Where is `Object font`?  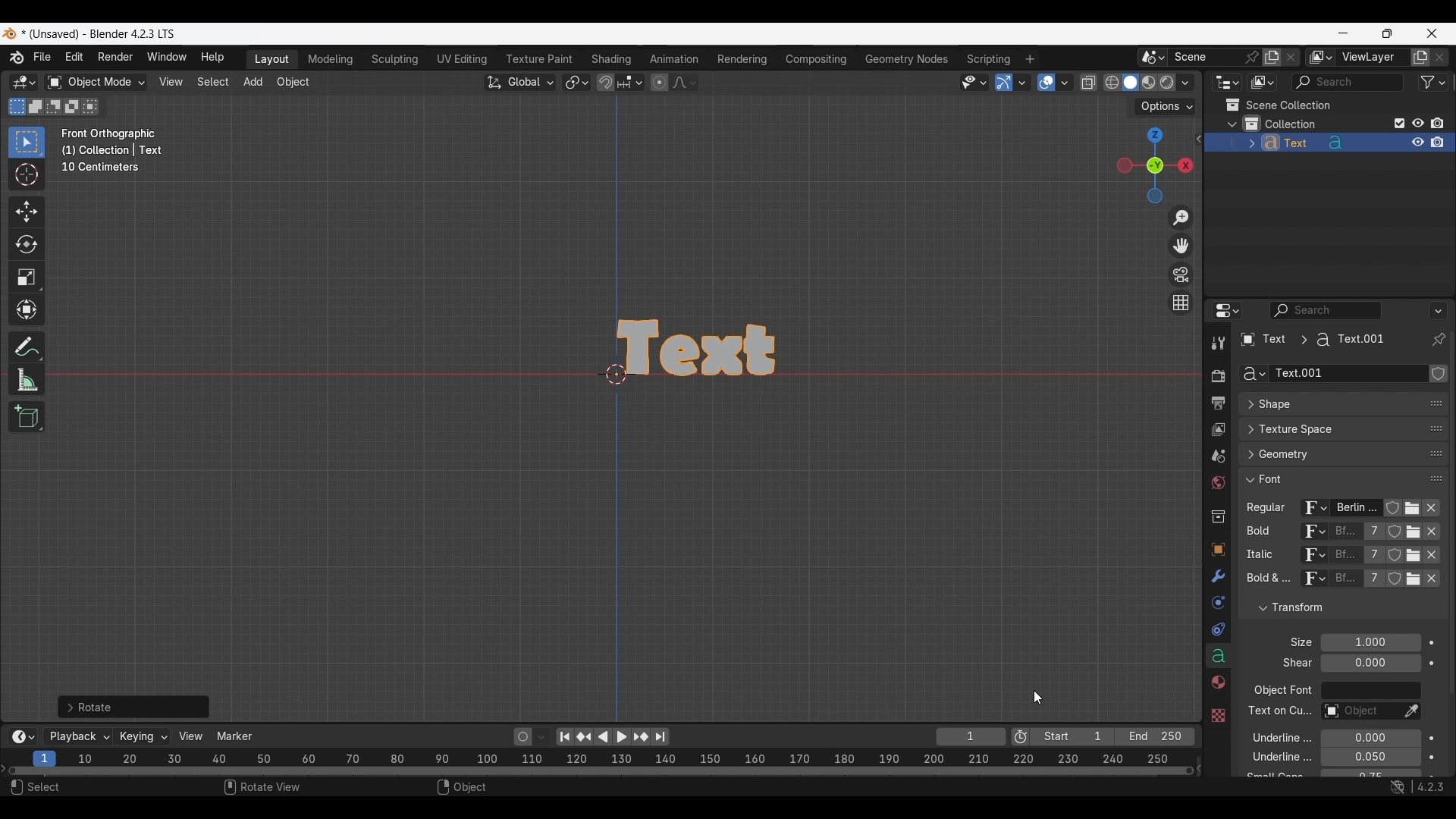 Object font is located at coordinates (1370, 691).